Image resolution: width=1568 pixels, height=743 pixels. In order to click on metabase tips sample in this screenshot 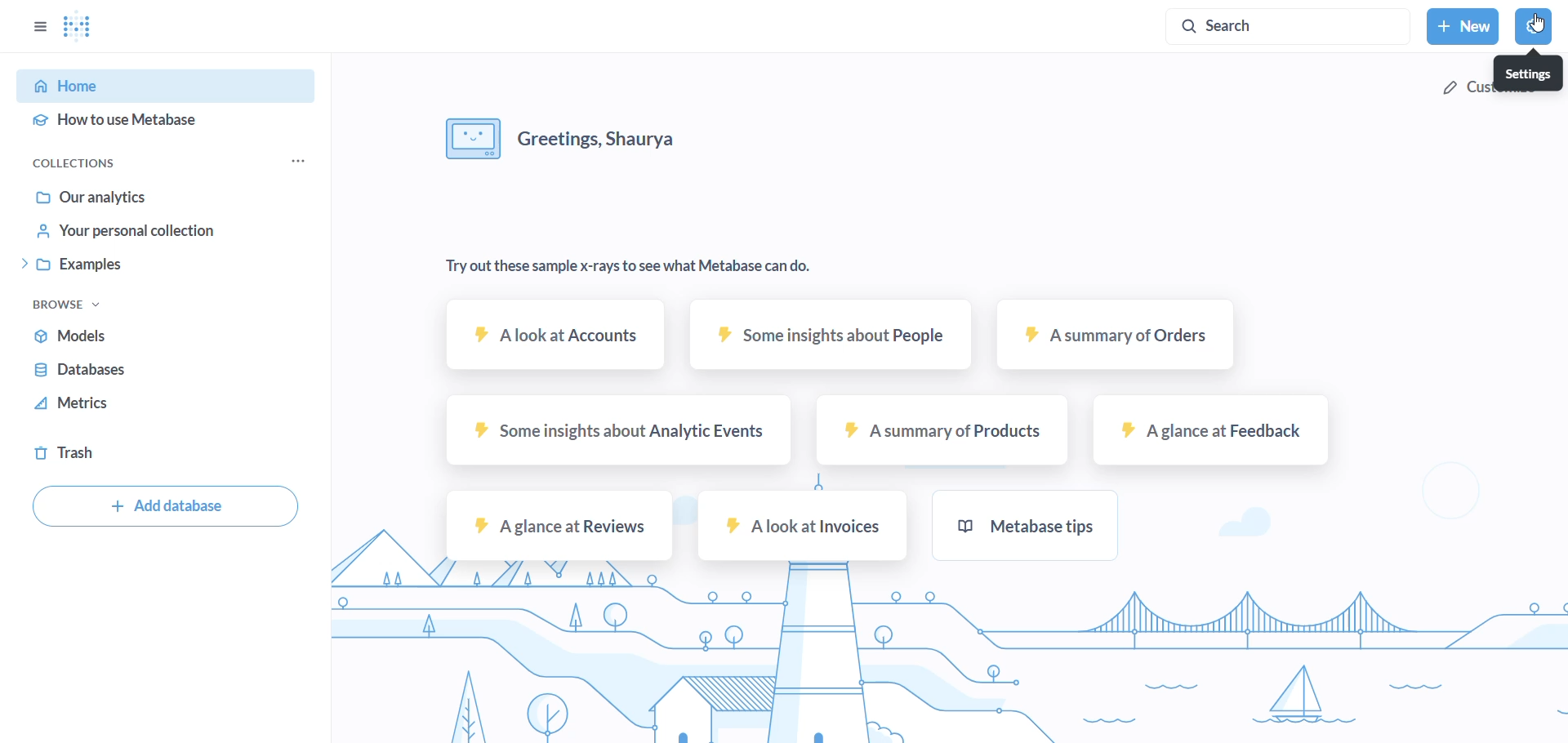, I will do `click(1031, 526)`.